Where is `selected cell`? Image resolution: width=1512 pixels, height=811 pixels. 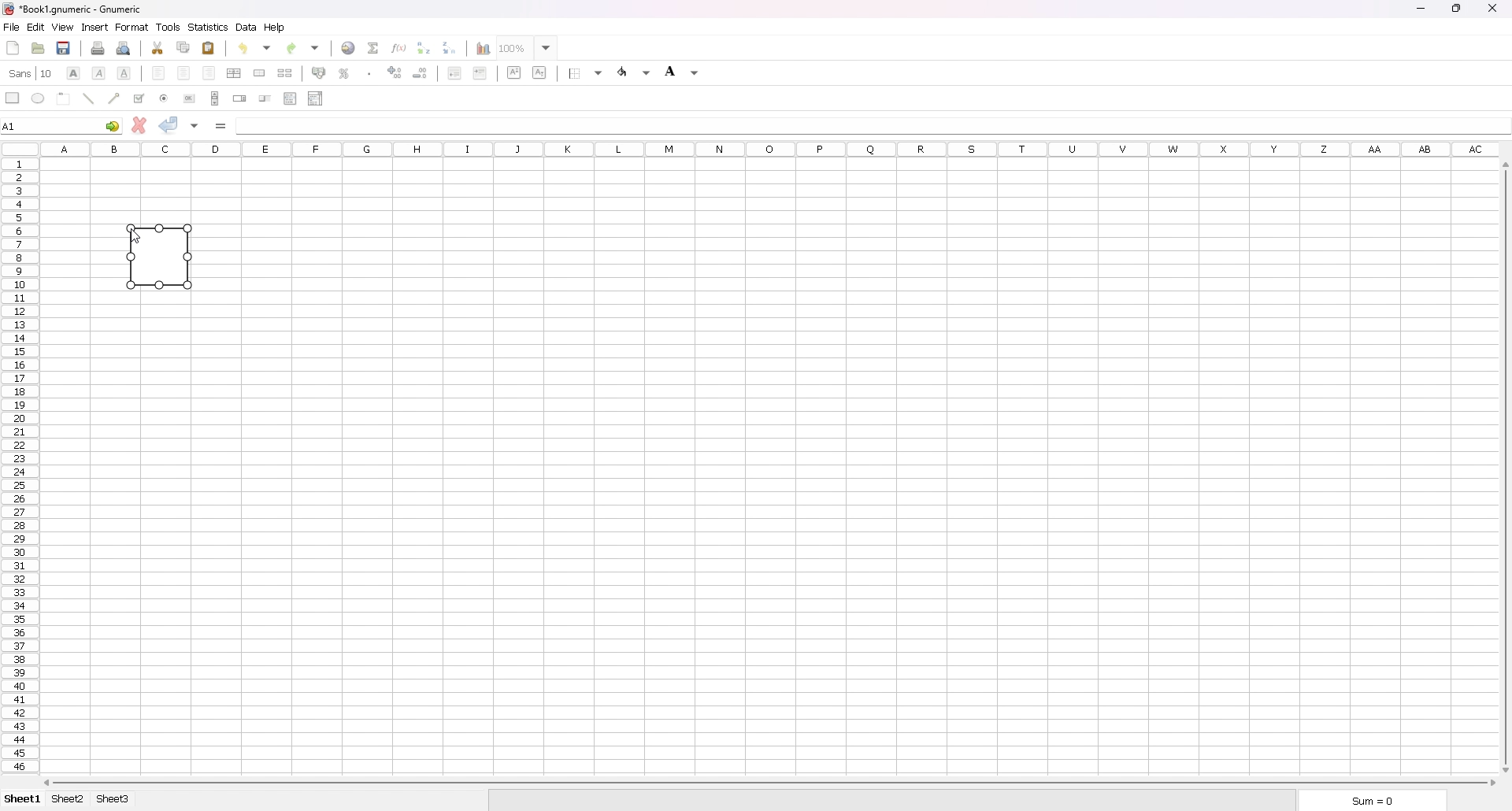
selected cell is located at coordinates (65, 165).